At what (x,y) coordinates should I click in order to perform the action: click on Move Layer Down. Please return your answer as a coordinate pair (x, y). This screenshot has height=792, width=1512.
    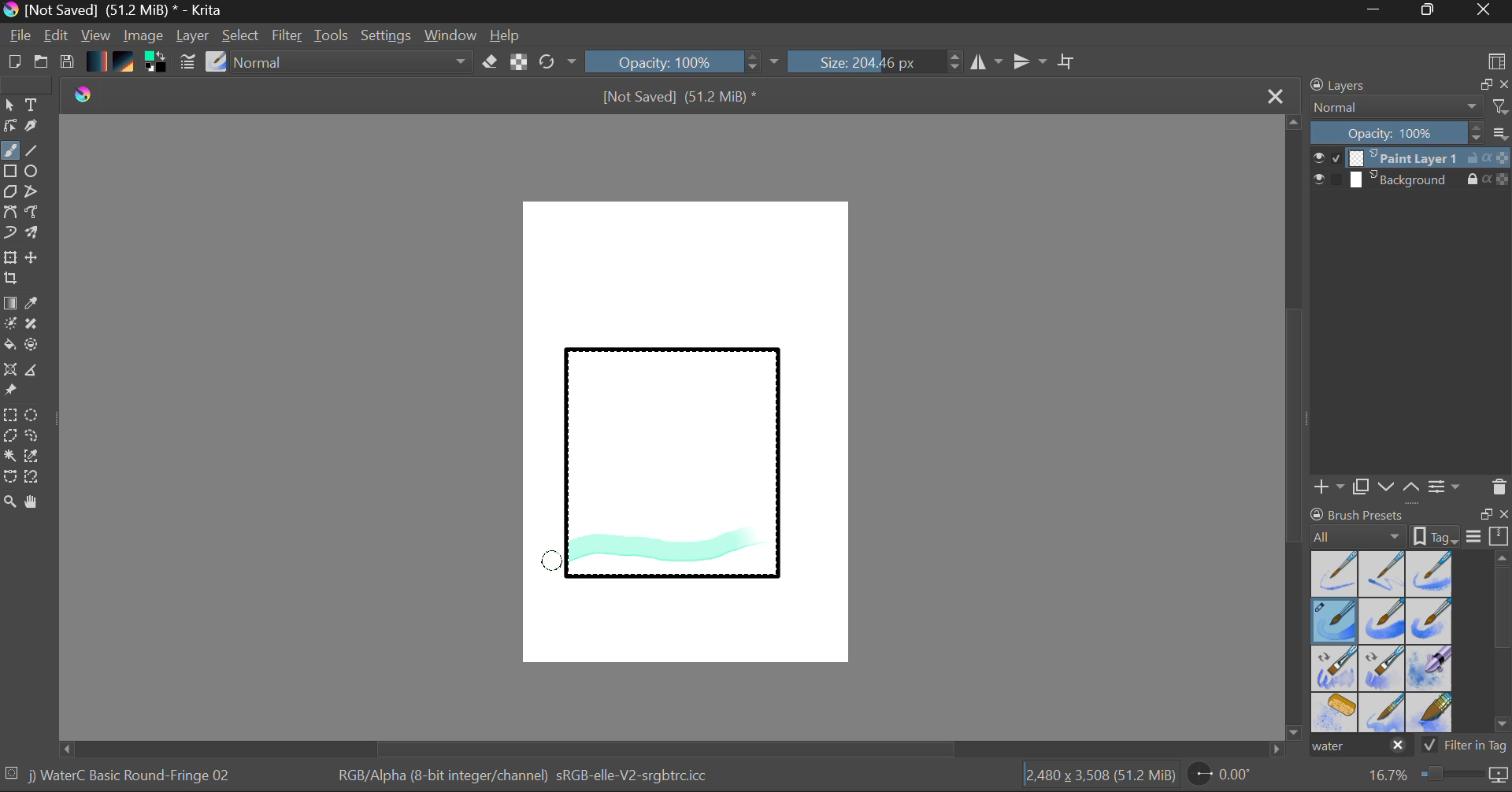
    Looking at the image, I should click on (1388, 487).